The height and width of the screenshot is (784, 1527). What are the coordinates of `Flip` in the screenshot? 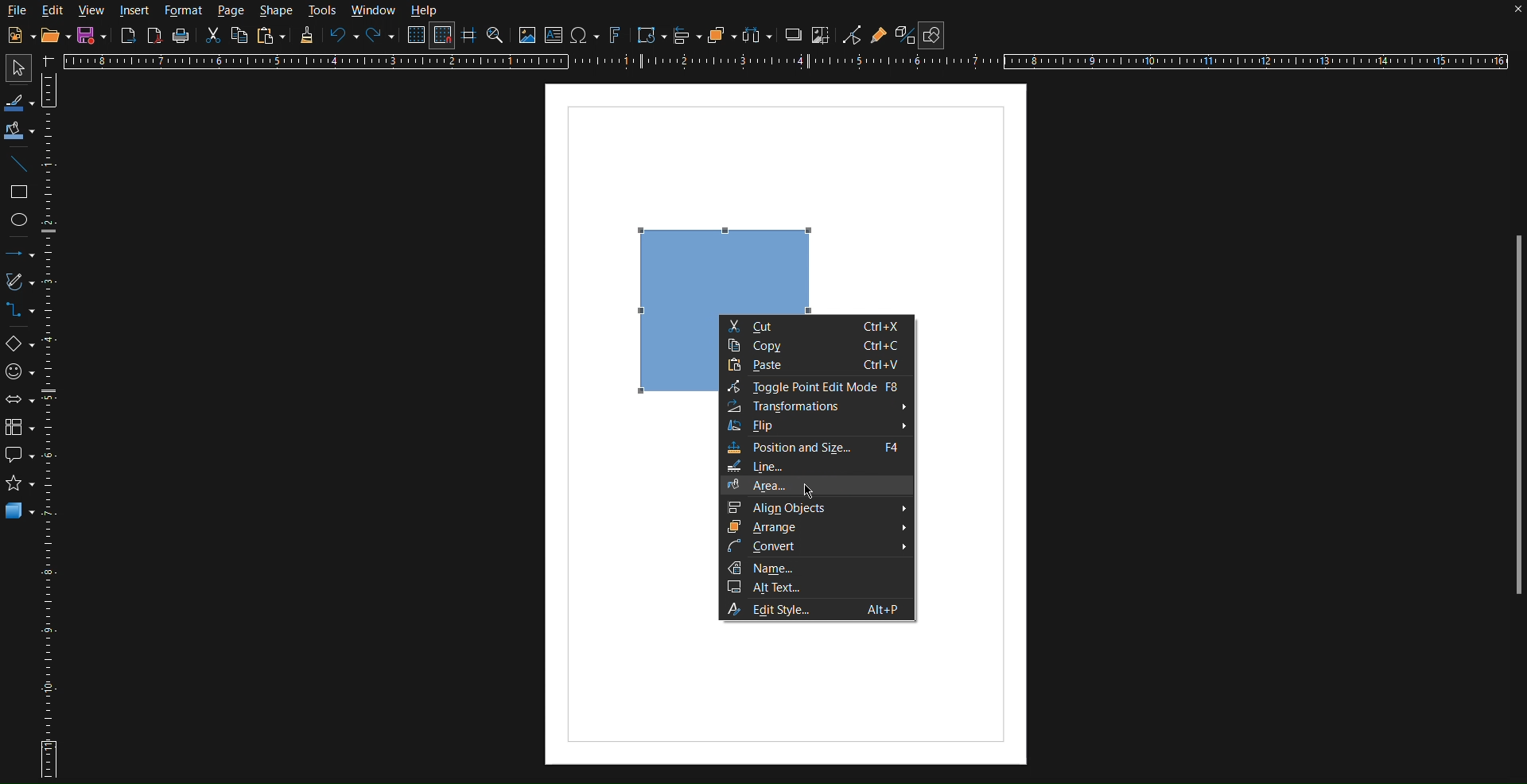 It's located at (816, 427).